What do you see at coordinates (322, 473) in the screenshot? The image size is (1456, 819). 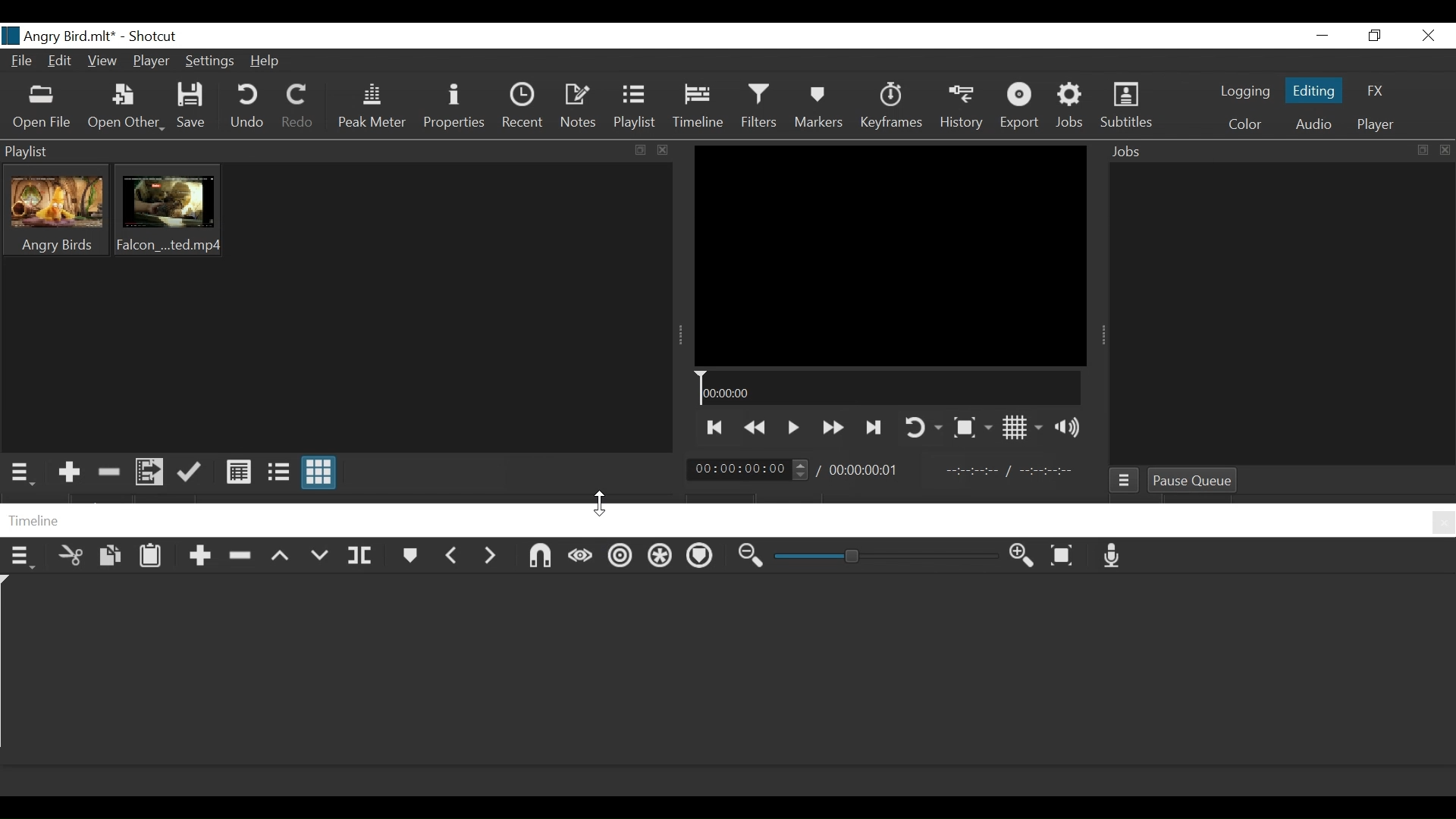 I see `View as icon` at bounding box center [322, 473].